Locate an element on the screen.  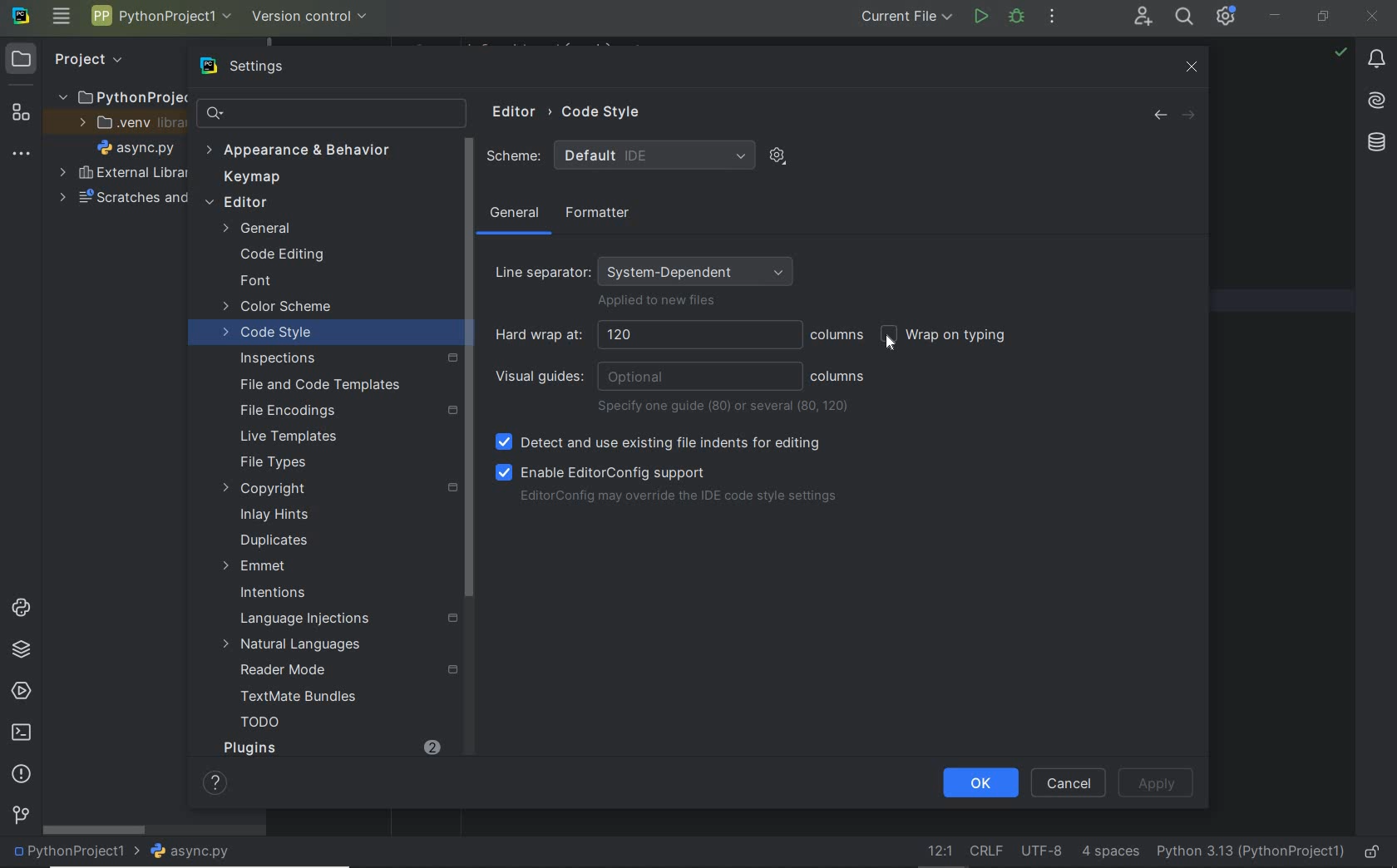
Go to line is located at coordinates (936, 851).